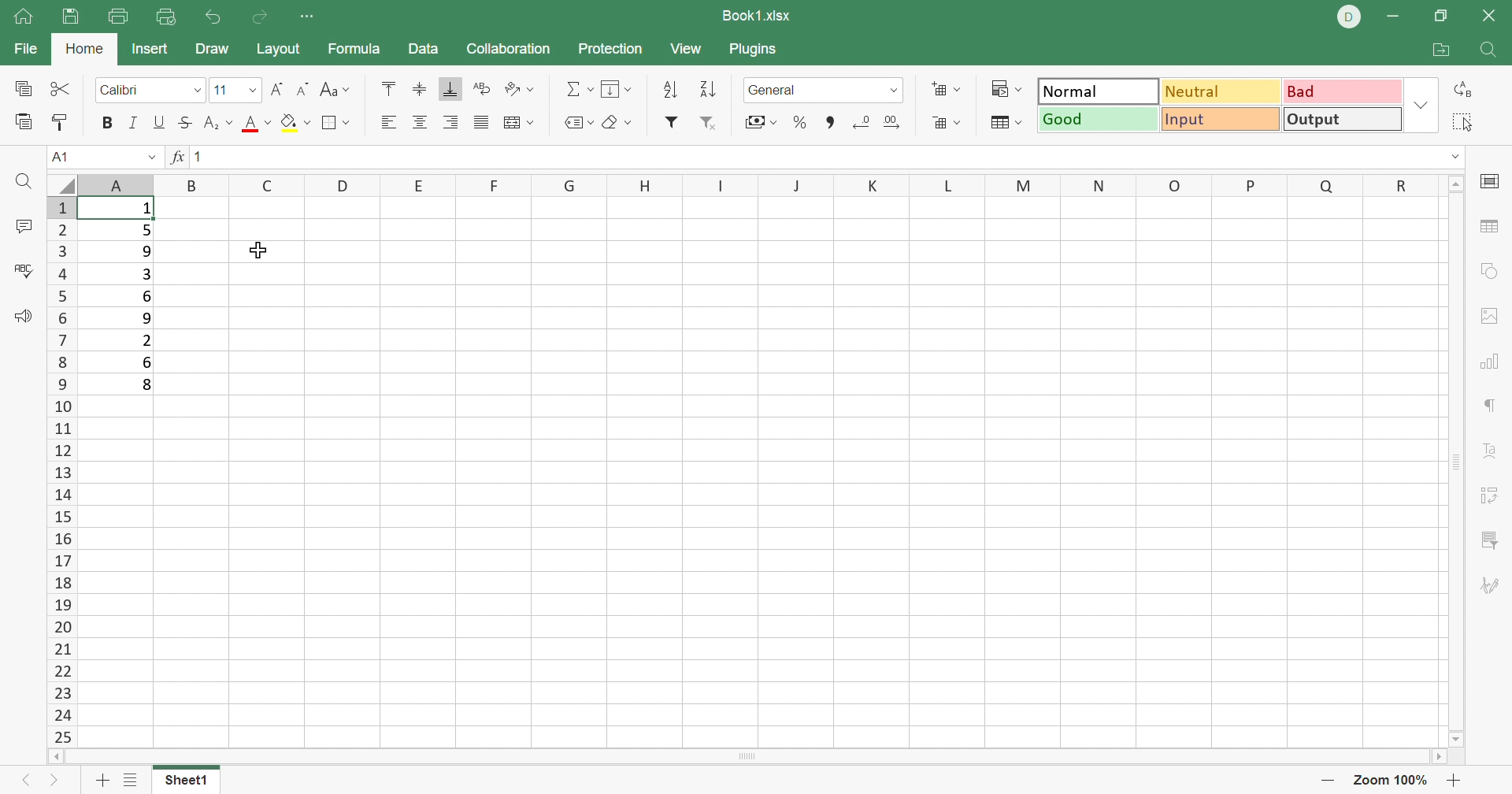 This screenshot has width=1512, height=794. I want to click on Decrement font size, so click(301, 91).